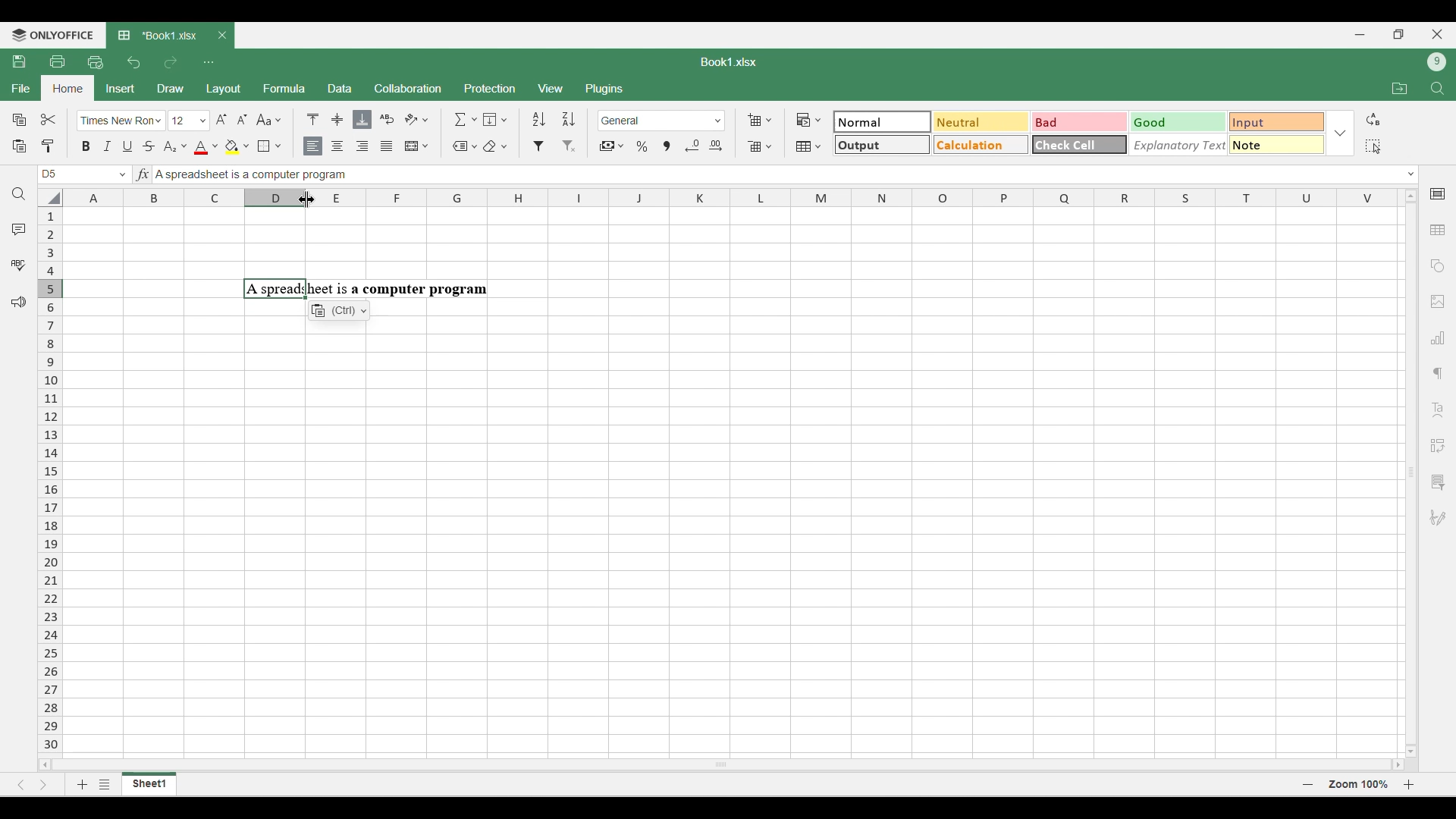  What do you see at coordinates (96, 62) in the screenshot?
I see `Quick print` at bounding box center [96, 62].